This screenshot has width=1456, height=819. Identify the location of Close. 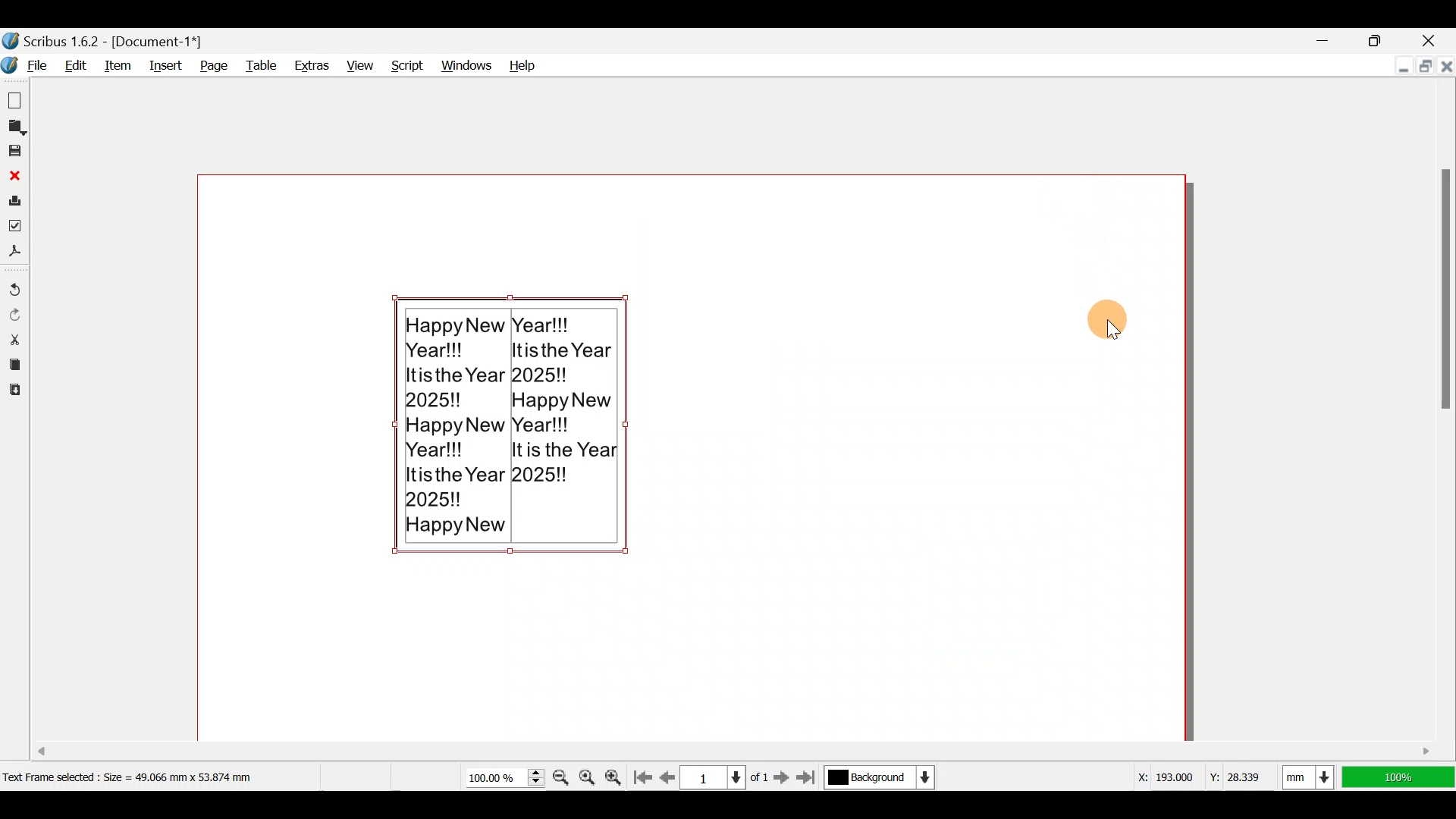
(14, 175).